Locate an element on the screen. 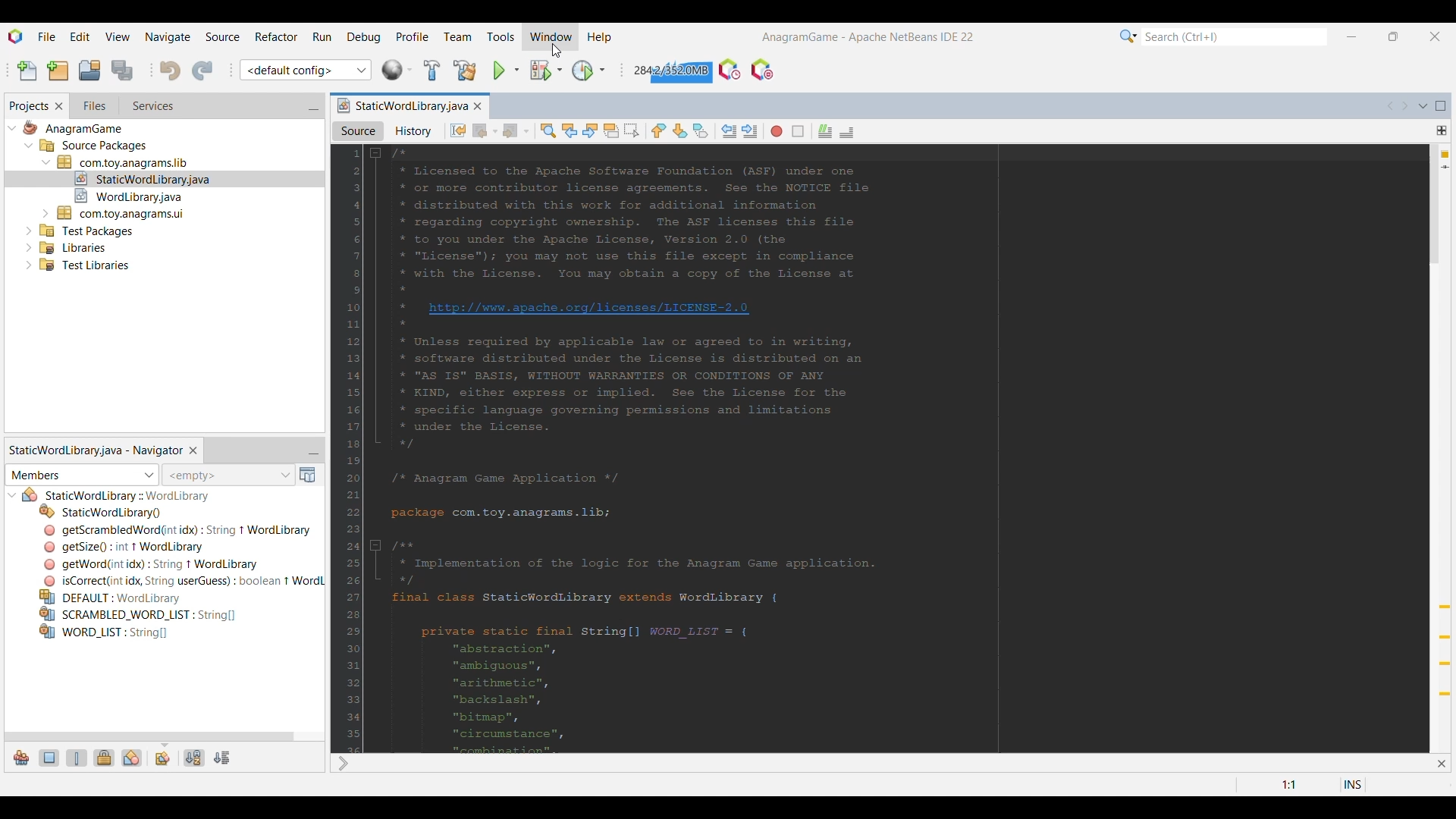 This screenshot has height=819, width=1456. Undo is located at coordinates (170, 71).